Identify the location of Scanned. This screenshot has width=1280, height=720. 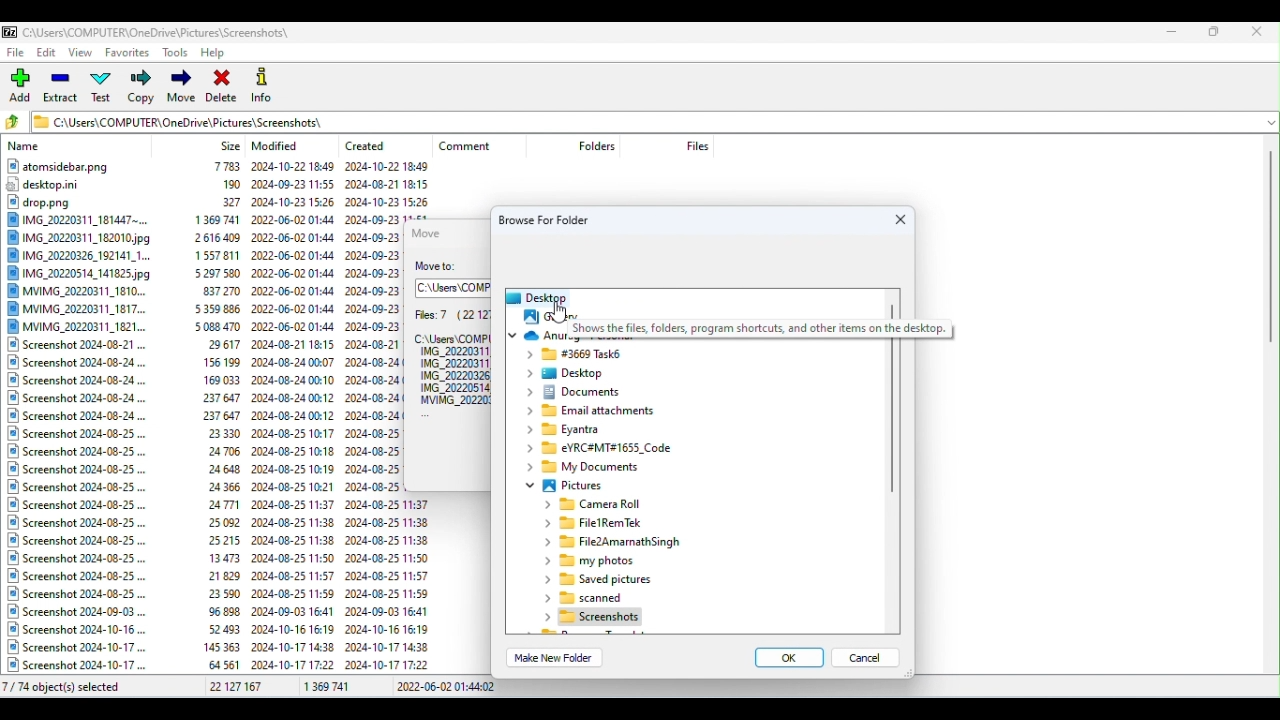
(587, 598).